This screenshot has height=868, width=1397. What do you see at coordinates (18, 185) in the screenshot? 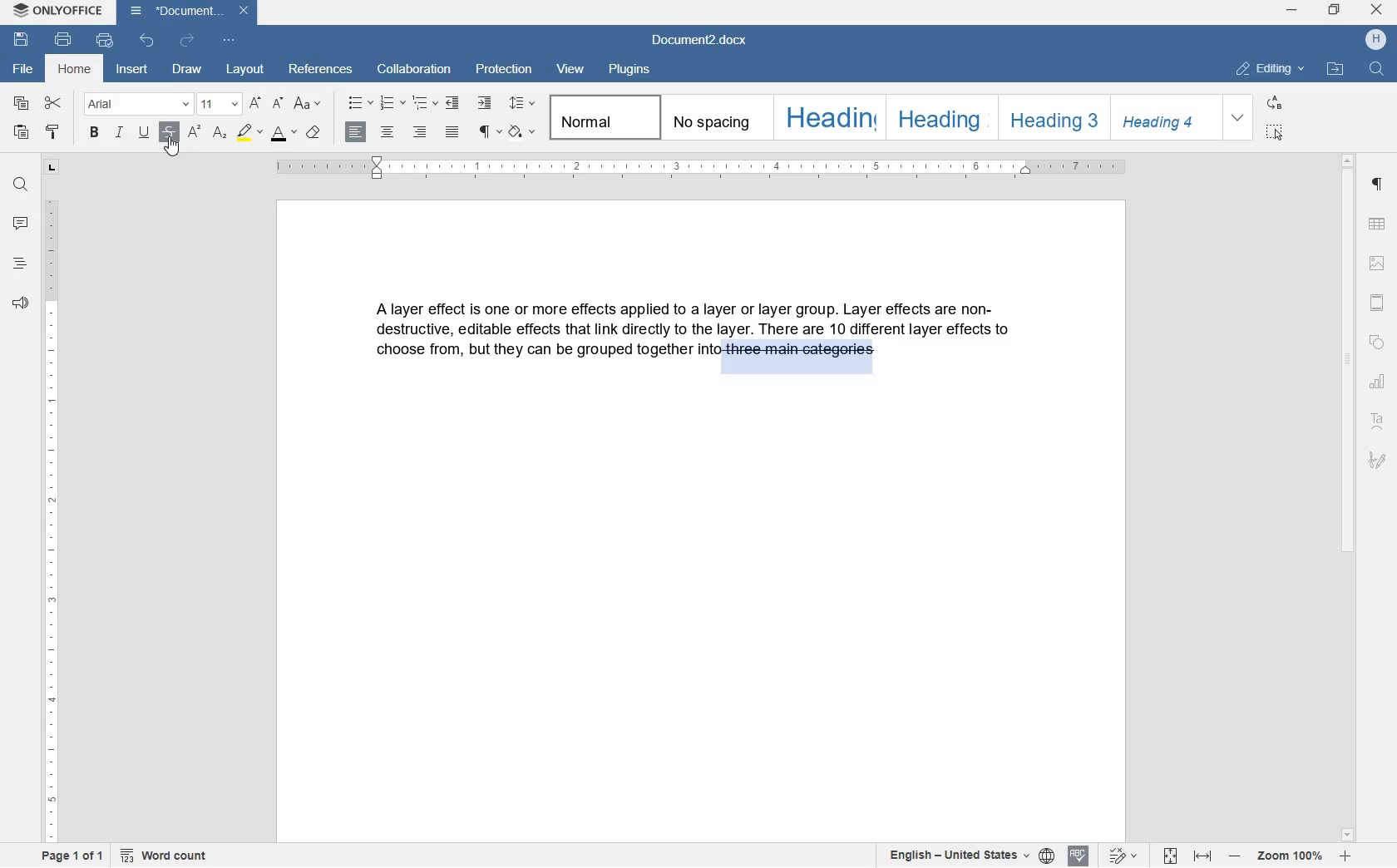
I see `find` at bounding box center [18, 185].